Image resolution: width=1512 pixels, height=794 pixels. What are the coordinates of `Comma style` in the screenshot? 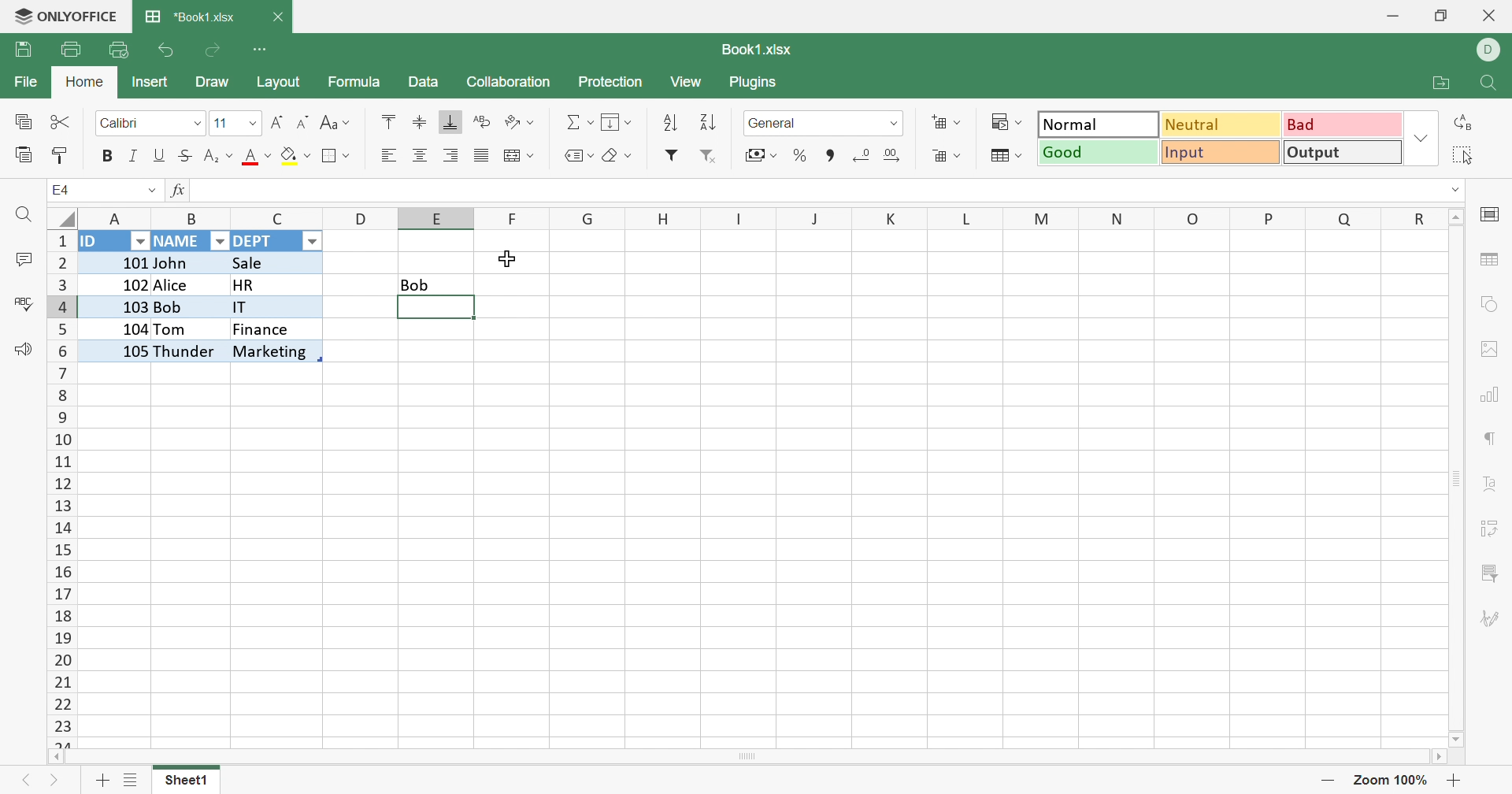 It's located at (828, 155).